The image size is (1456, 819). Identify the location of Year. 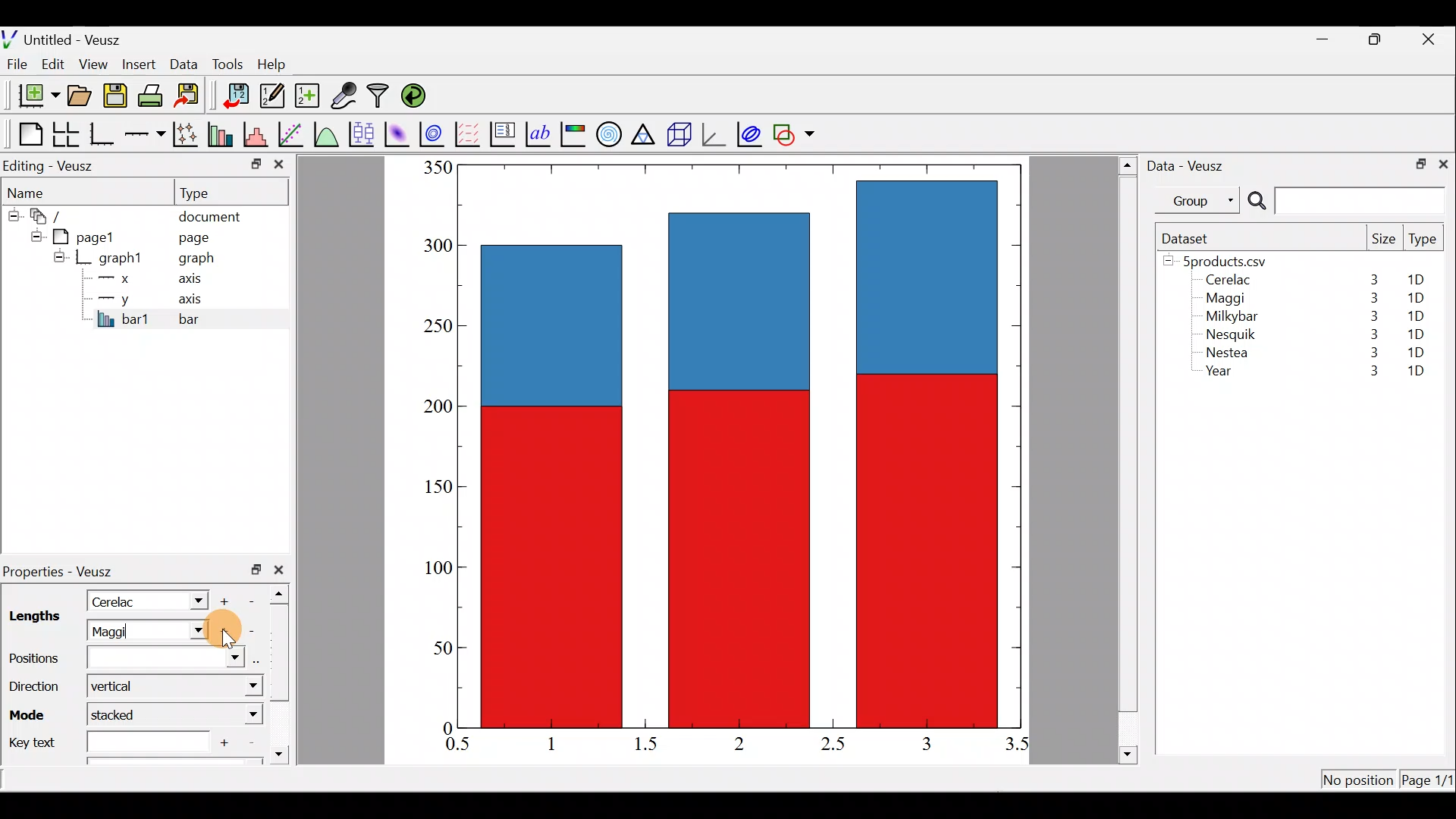
(1222, 375).